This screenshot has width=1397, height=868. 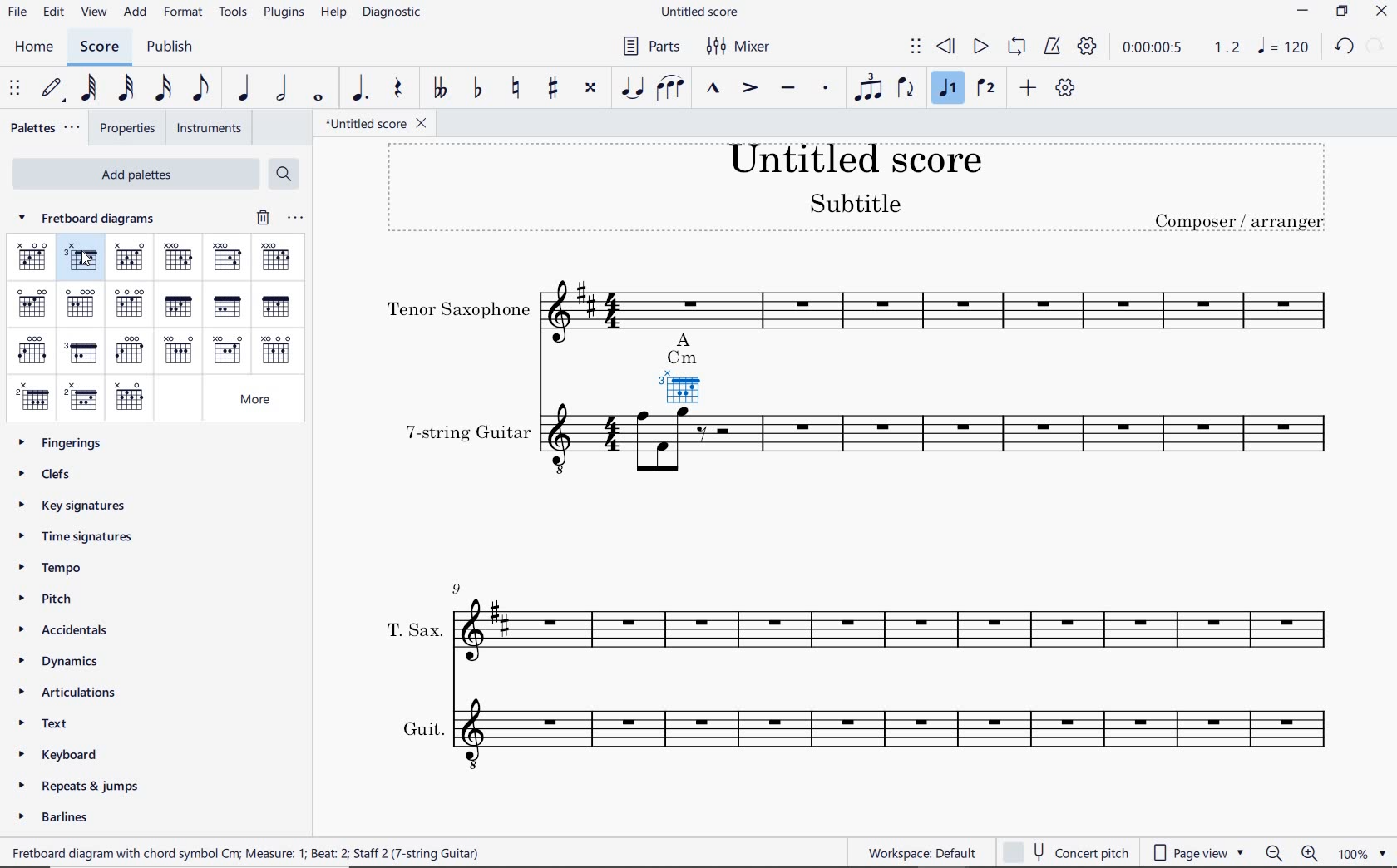 I want to click on CLEFS, so click(x=57, y=476).